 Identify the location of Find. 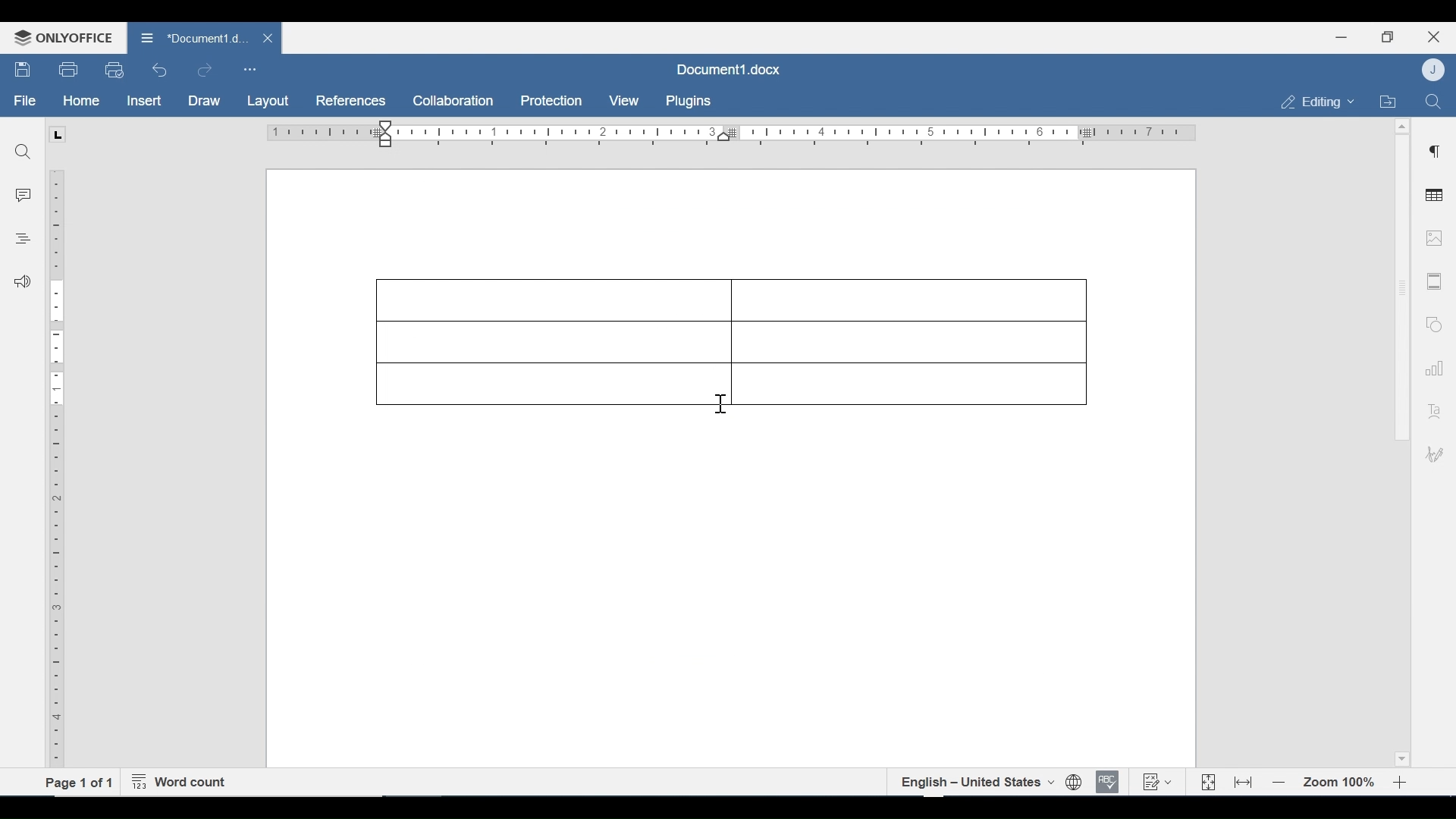
(1432, 100).